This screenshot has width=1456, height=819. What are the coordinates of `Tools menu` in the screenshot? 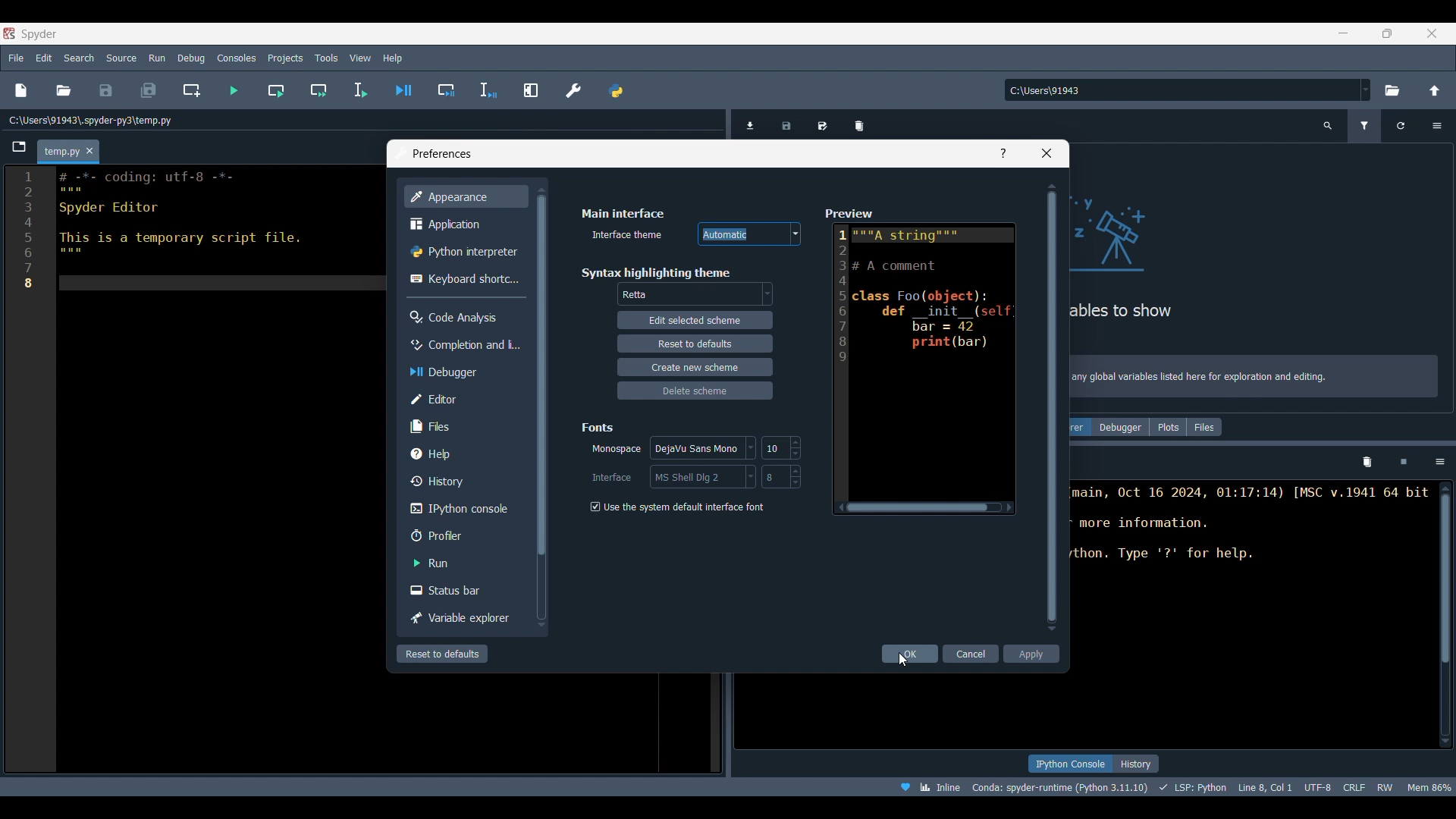 It's located at (325, 58).